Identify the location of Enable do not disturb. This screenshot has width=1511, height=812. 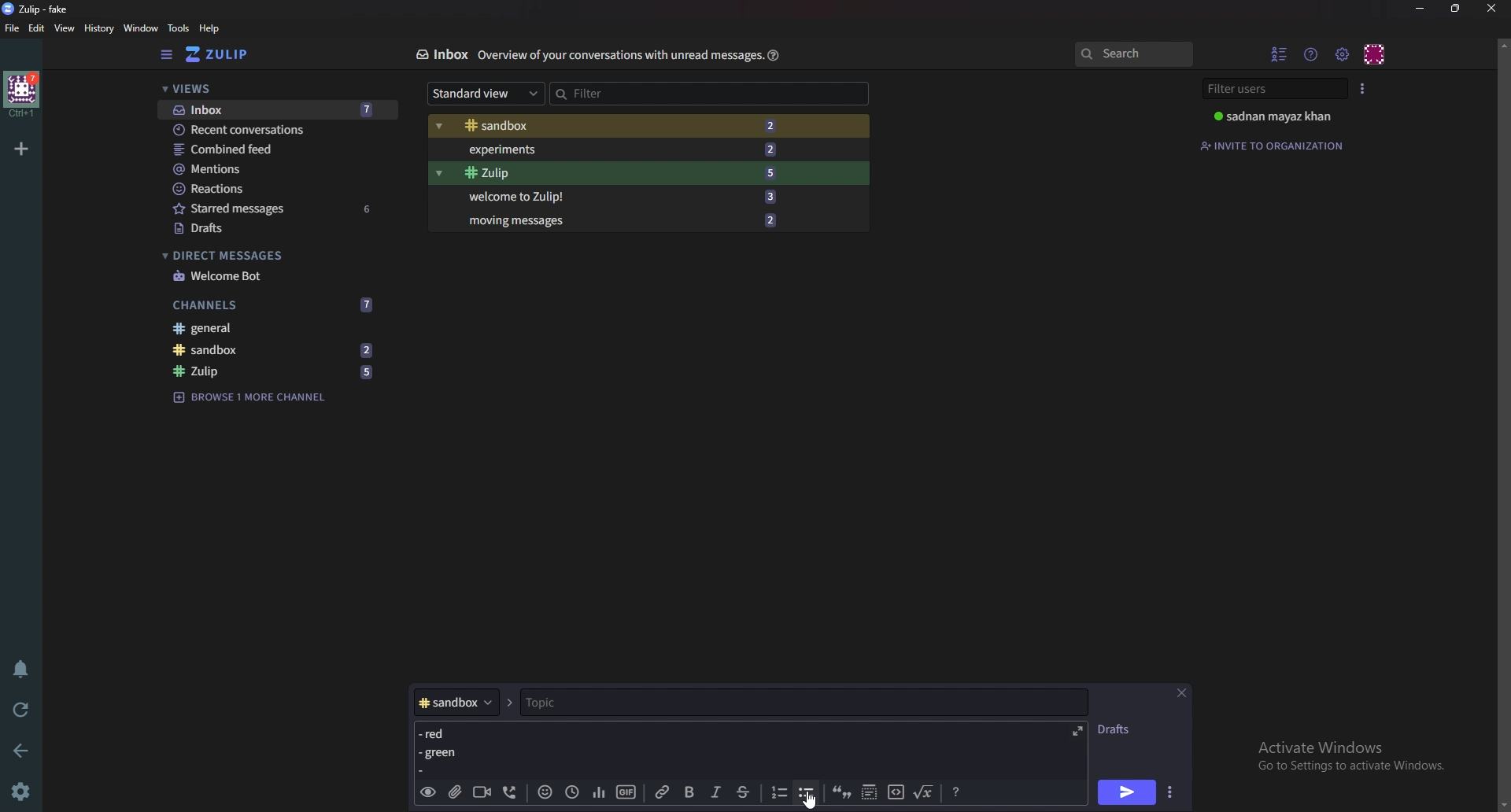
(24, 666).